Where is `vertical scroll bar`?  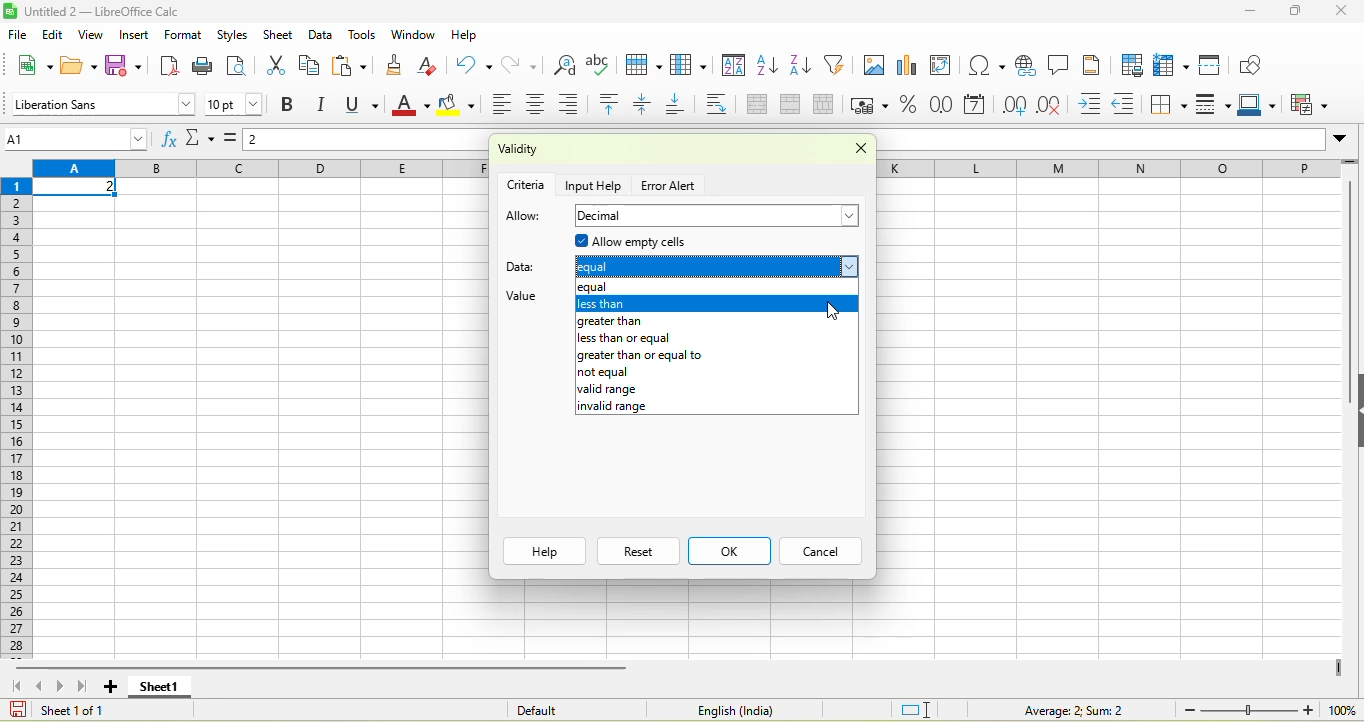
vertical scroll bar is located at coordinates (1347, 300).